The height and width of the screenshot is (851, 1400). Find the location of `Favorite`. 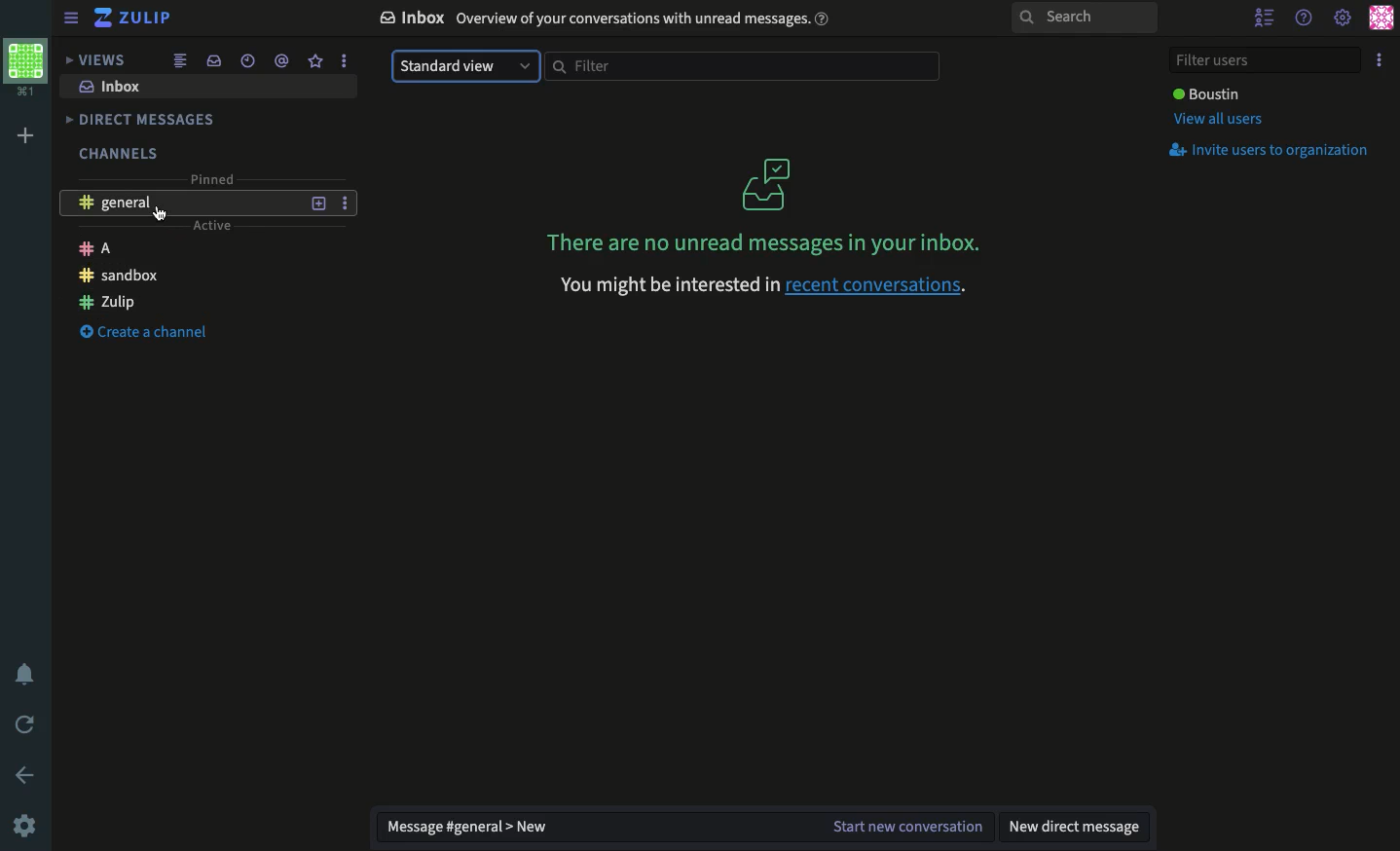

Favorite is located at coordinates (316, 61).